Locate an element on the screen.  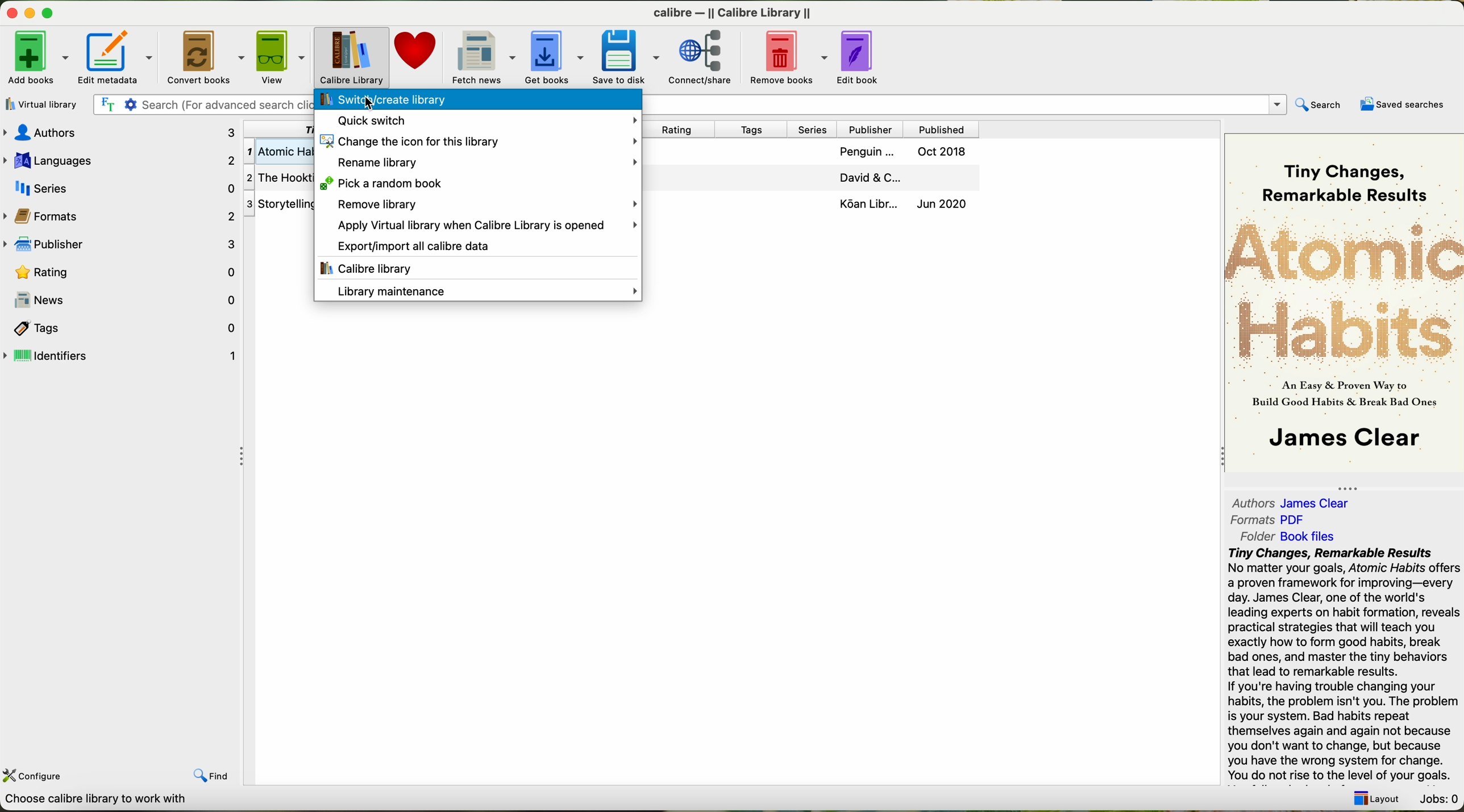
folder is located at coordinates (1255, 537).